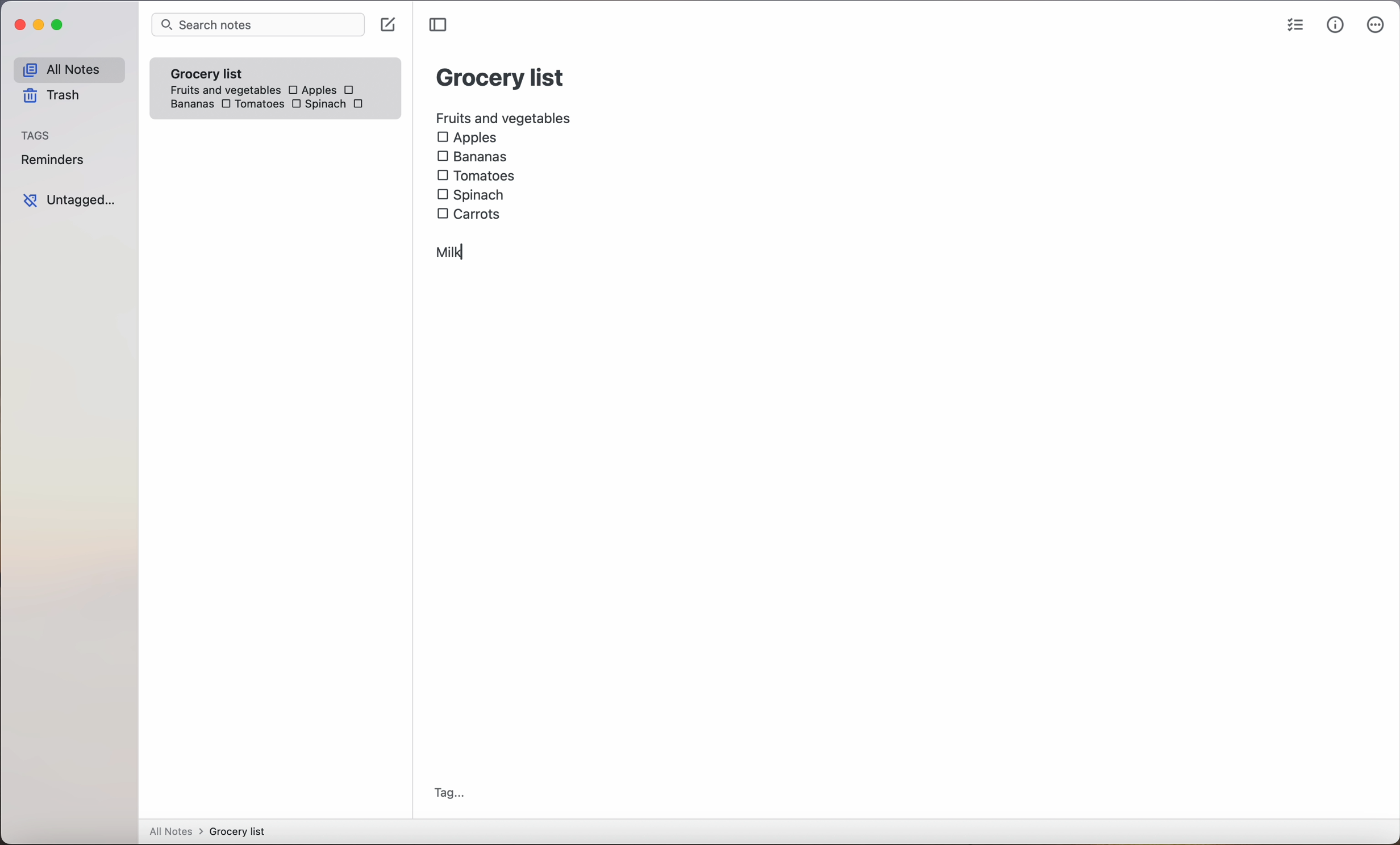 The height and width of the screenshot is (845, 1400). Describe the element at coordinates (361, 104) in the screenshot. I see `carrots` at that location.